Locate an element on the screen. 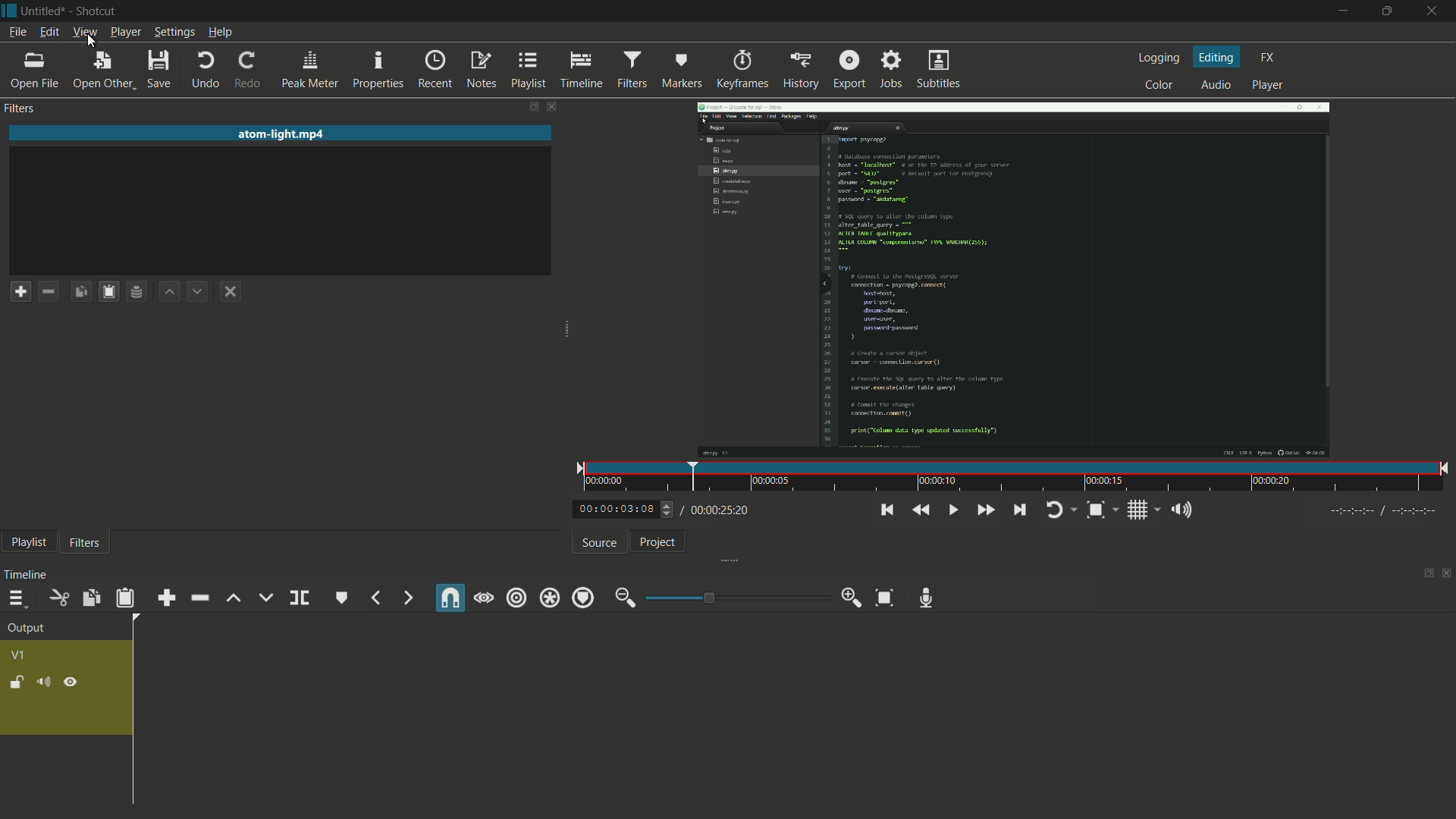 The image size is (1456, 819). toggle grid is located at coordinates (1137, 510).